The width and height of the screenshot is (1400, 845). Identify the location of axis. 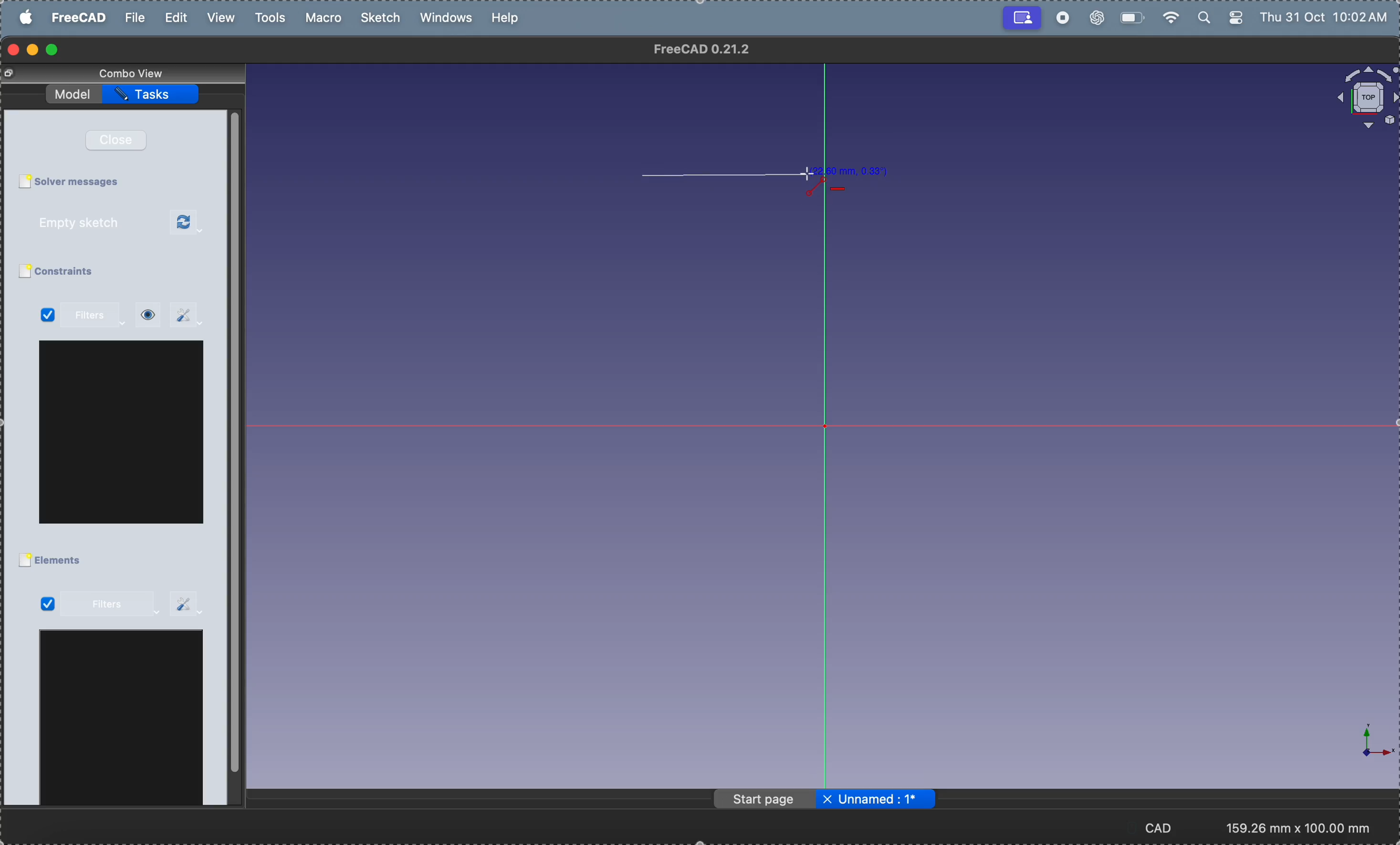
(1366, 742).